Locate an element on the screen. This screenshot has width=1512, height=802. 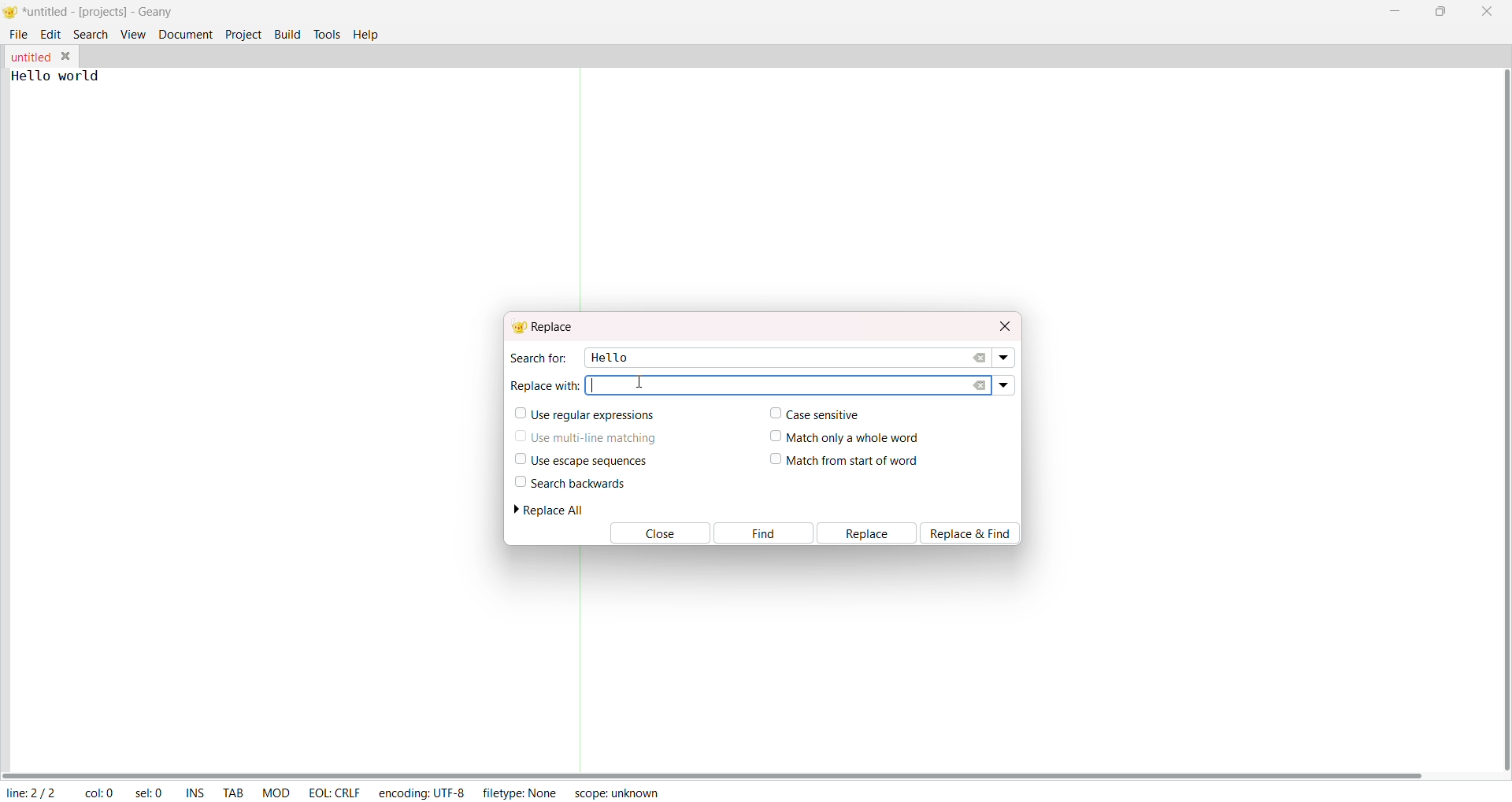
close dialog is located at coordinates (1002, 324).